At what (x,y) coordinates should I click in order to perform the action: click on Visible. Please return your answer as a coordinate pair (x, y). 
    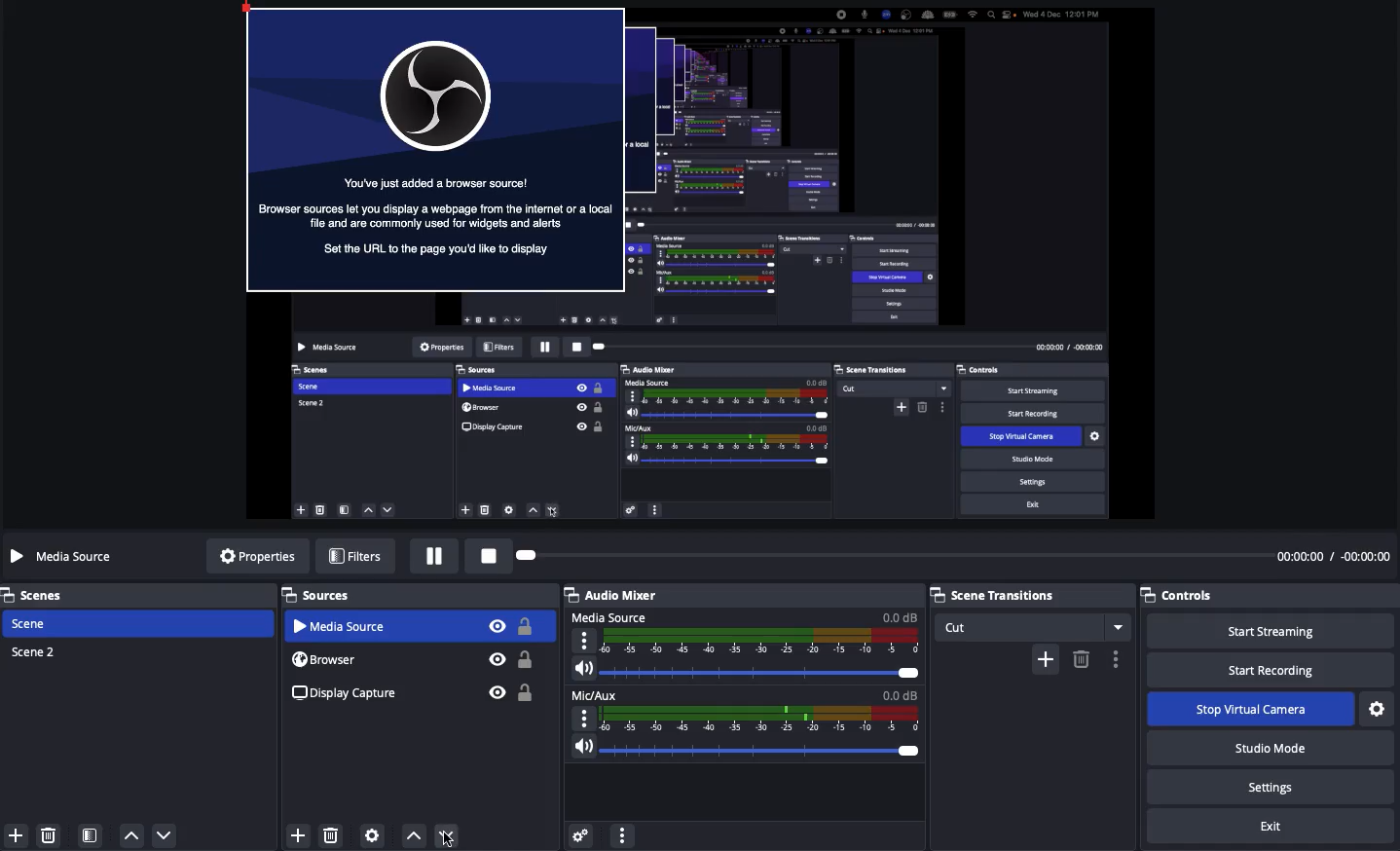
    Looking at the image, I should click on (496, 659).